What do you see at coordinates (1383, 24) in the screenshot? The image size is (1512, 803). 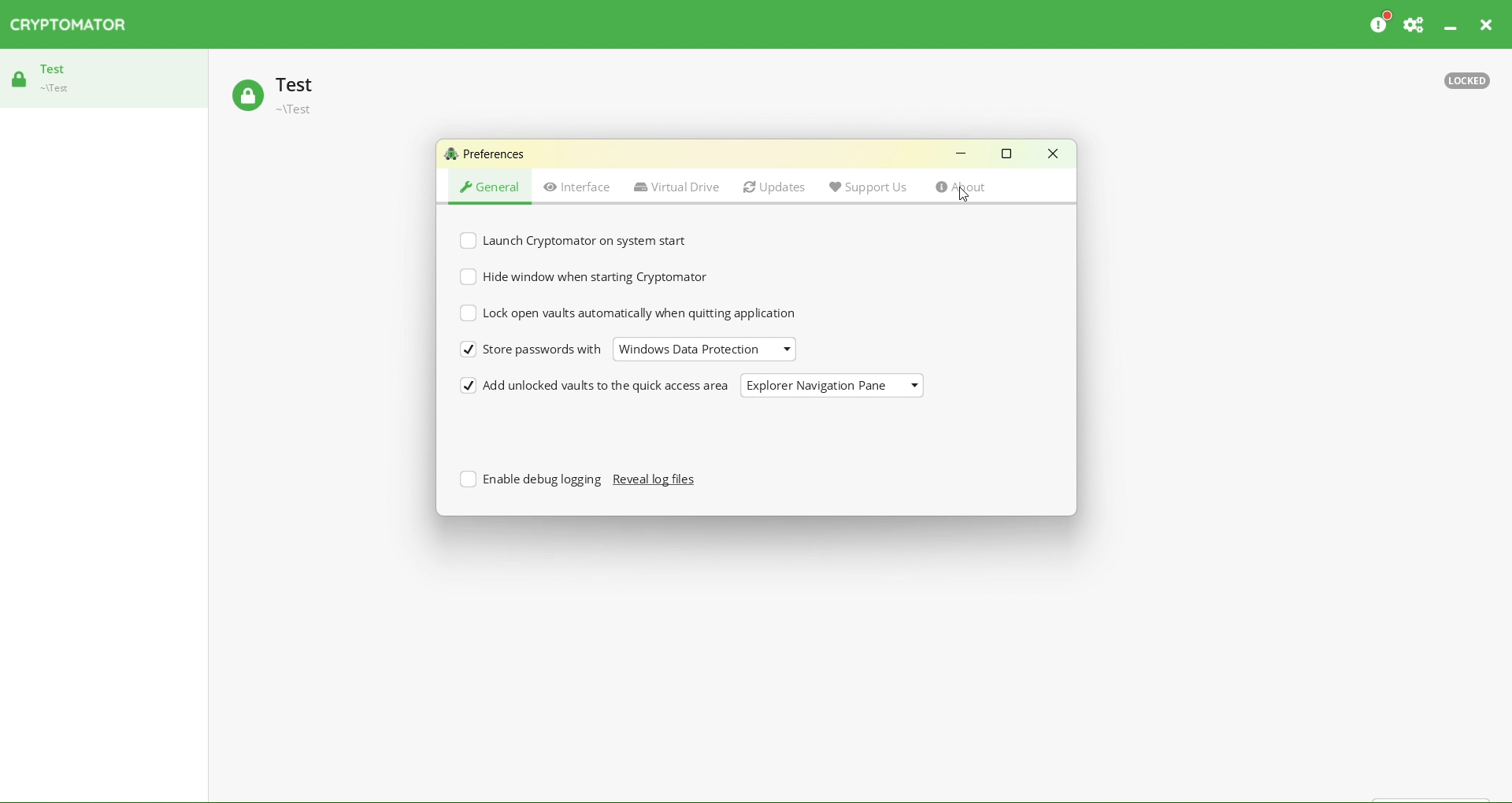 I see `Donate` at bounding box center [1383, 24].